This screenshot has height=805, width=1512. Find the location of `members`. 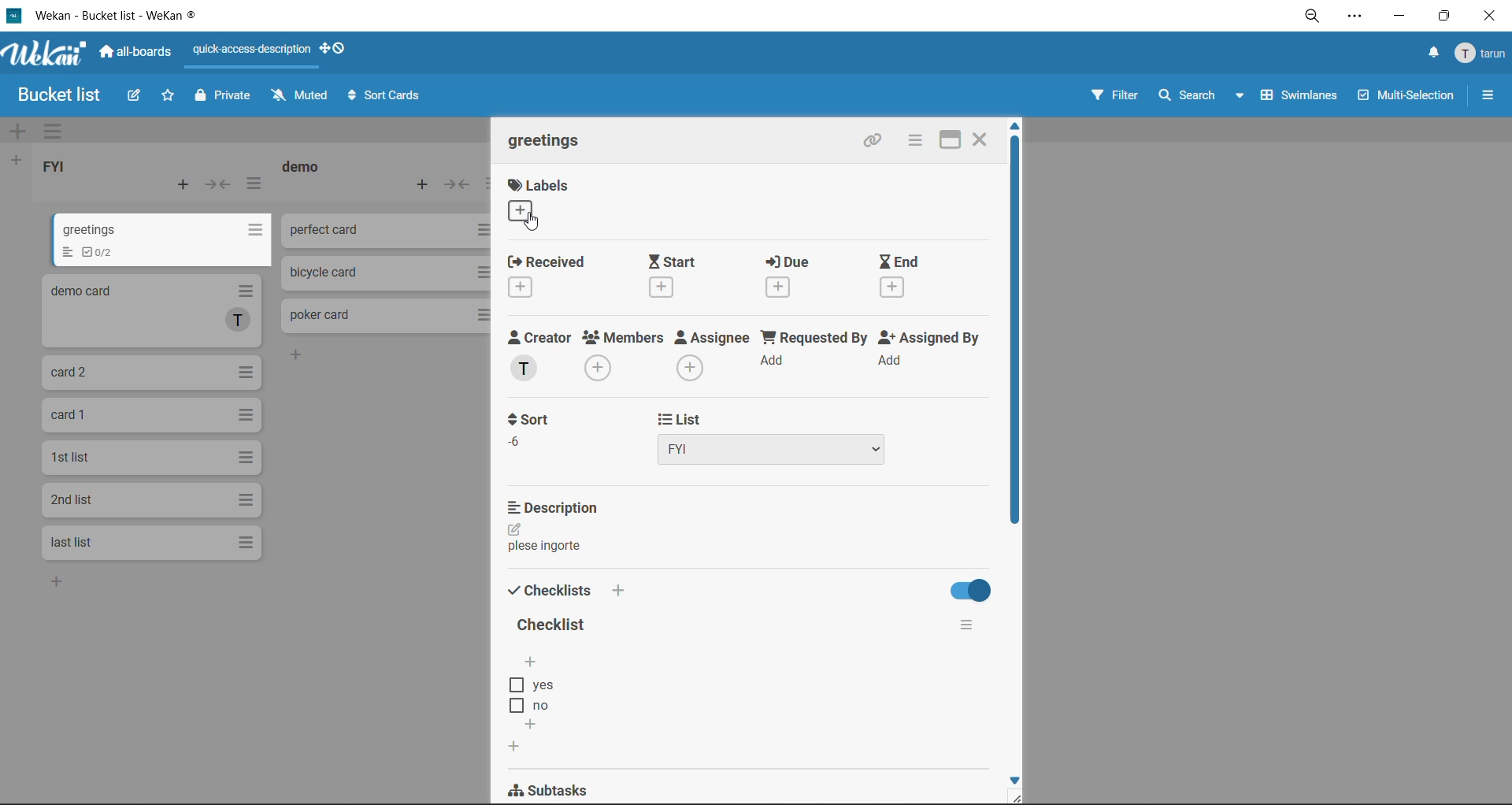

members is located at coordinates (622, 354).